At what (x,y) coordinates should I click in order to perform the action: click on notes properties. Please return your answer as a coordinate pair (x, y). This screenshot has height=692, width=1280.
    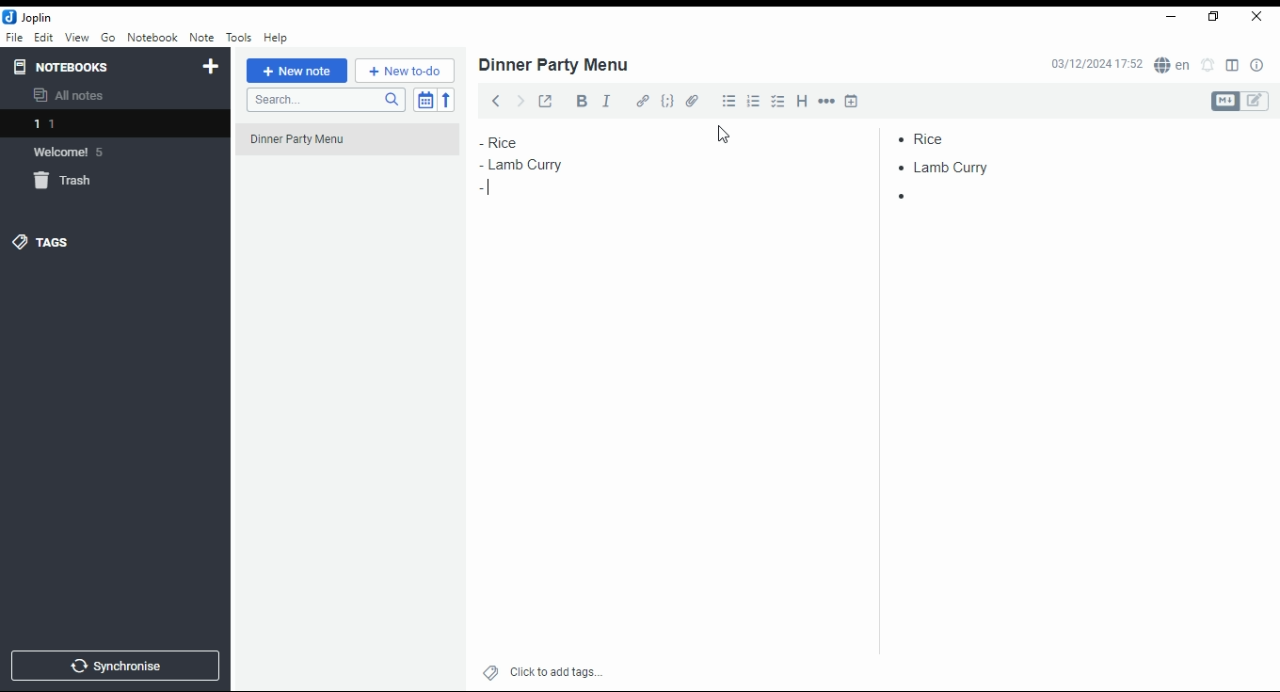
    Looking at the image, I should click on (1258, 65).